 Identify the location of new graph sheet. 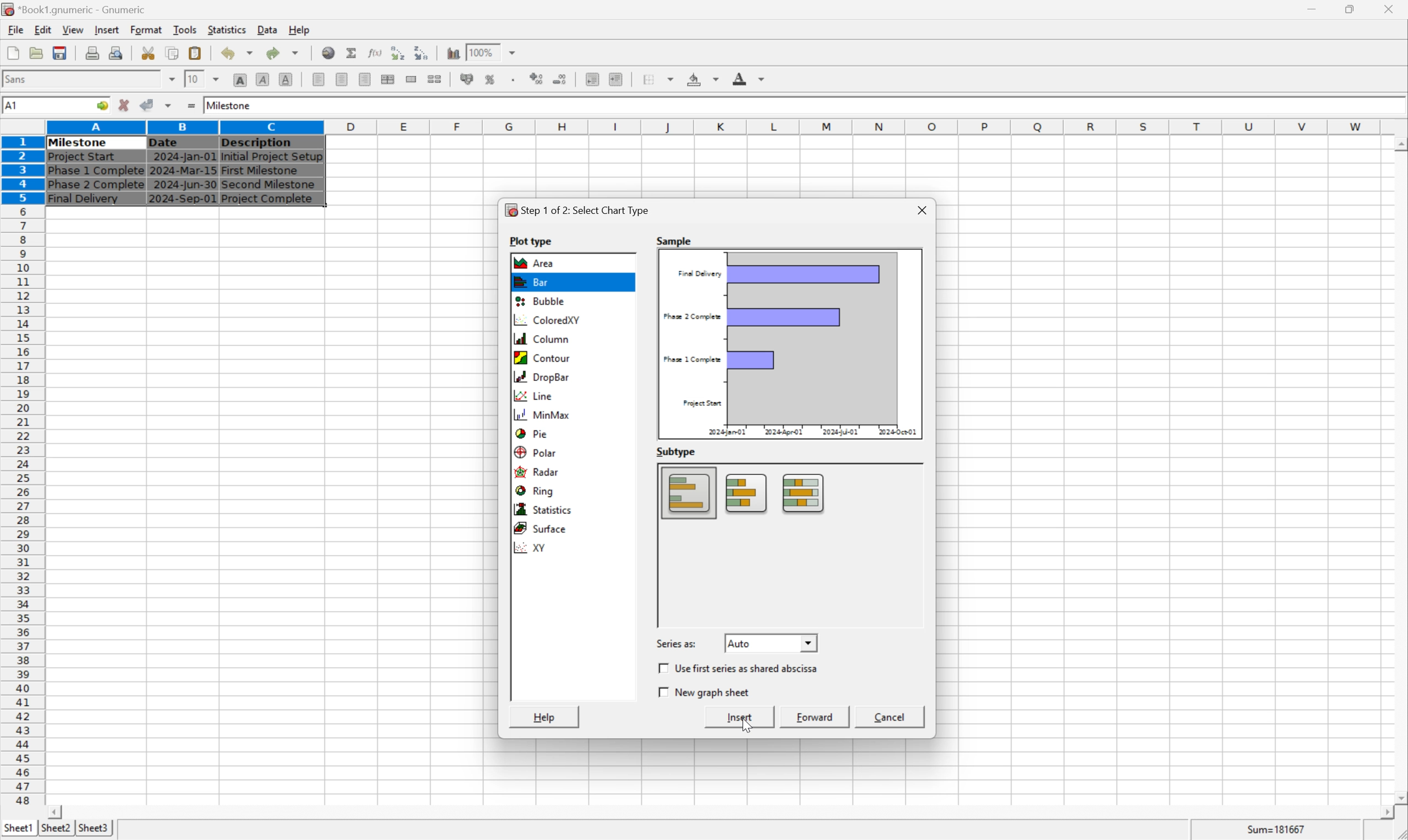
(706, 692).